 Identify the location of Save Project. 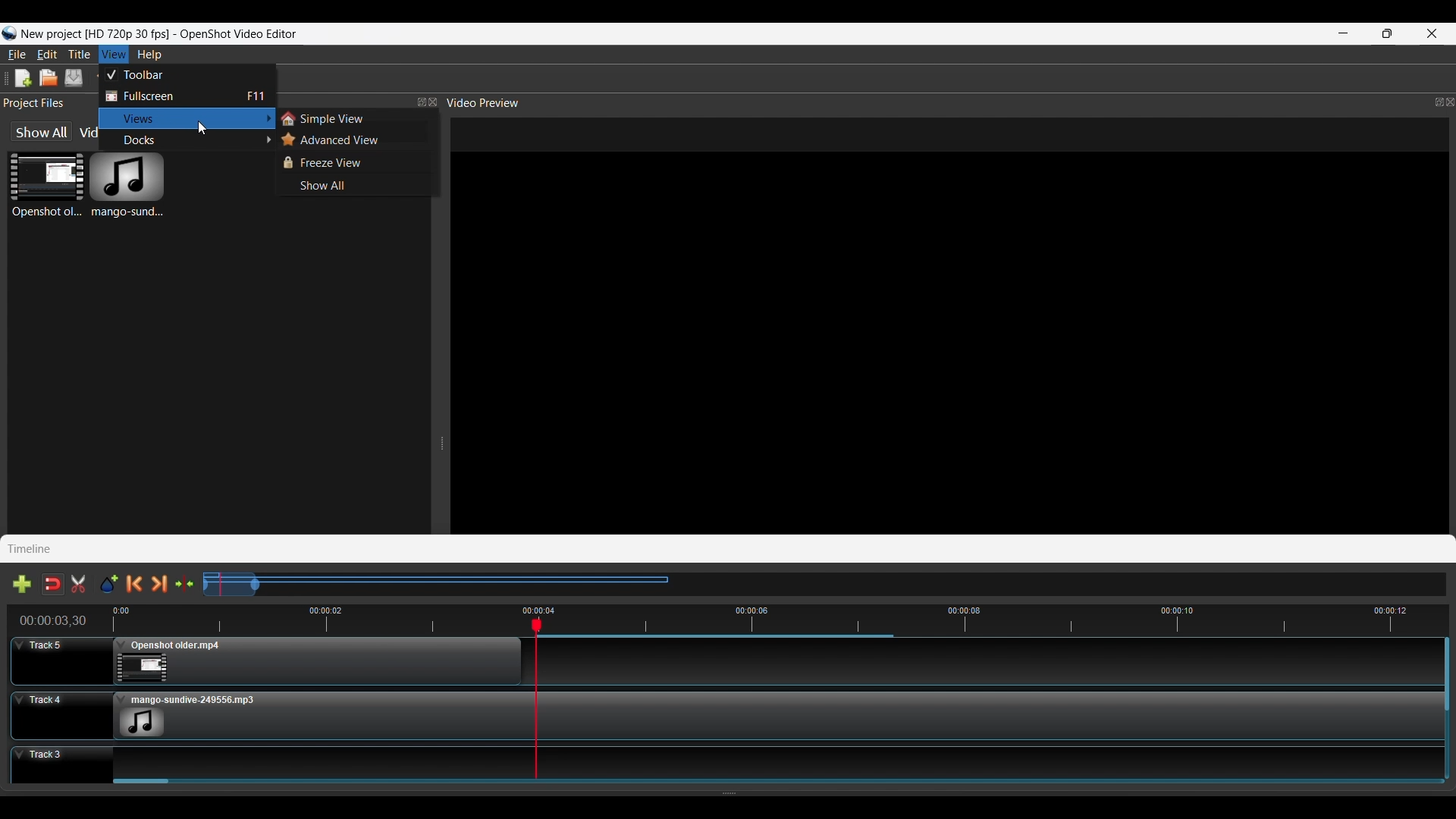
(74, 78).